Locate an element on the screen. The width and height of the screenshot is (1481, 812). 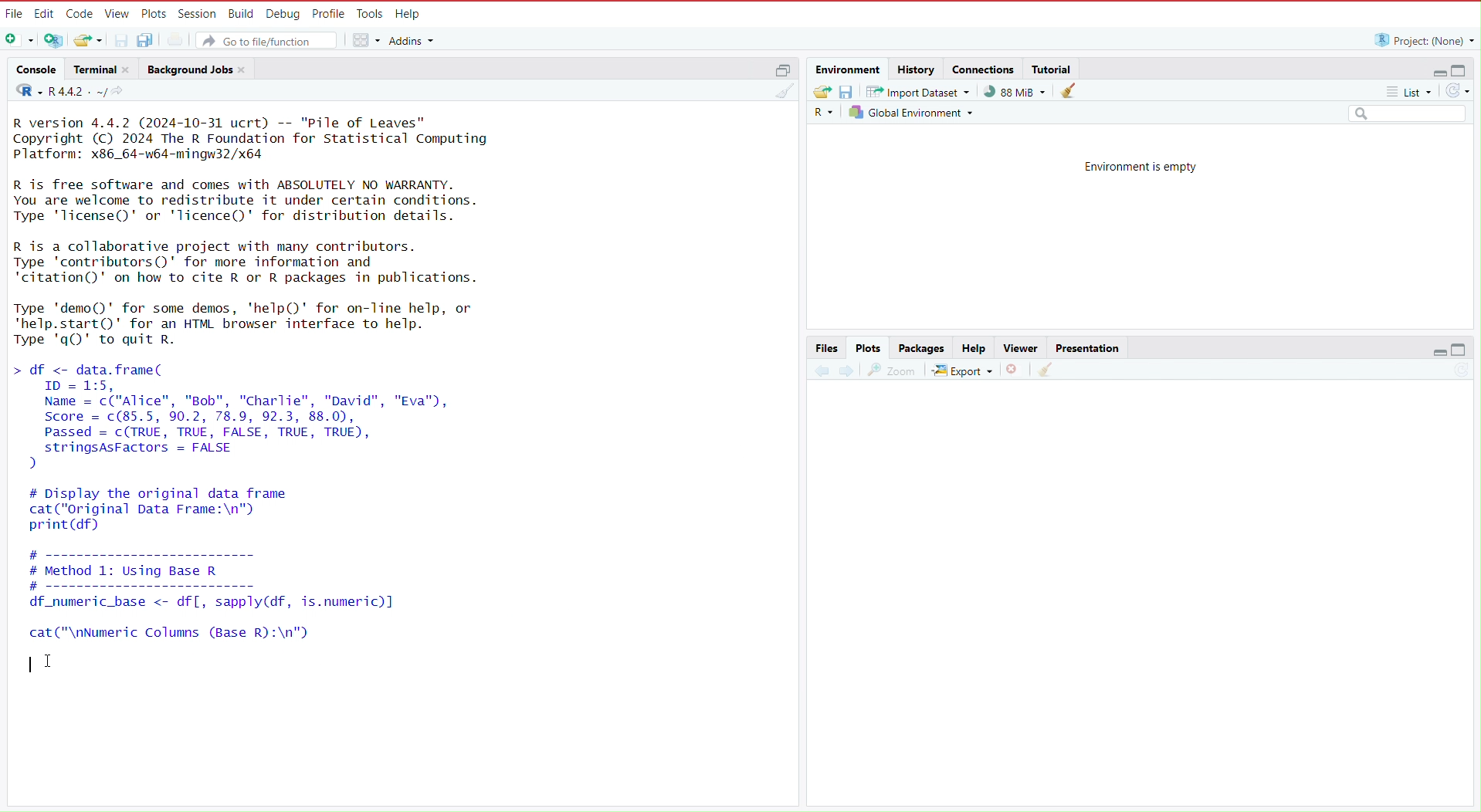
New file is located at coordinates (19, 39).